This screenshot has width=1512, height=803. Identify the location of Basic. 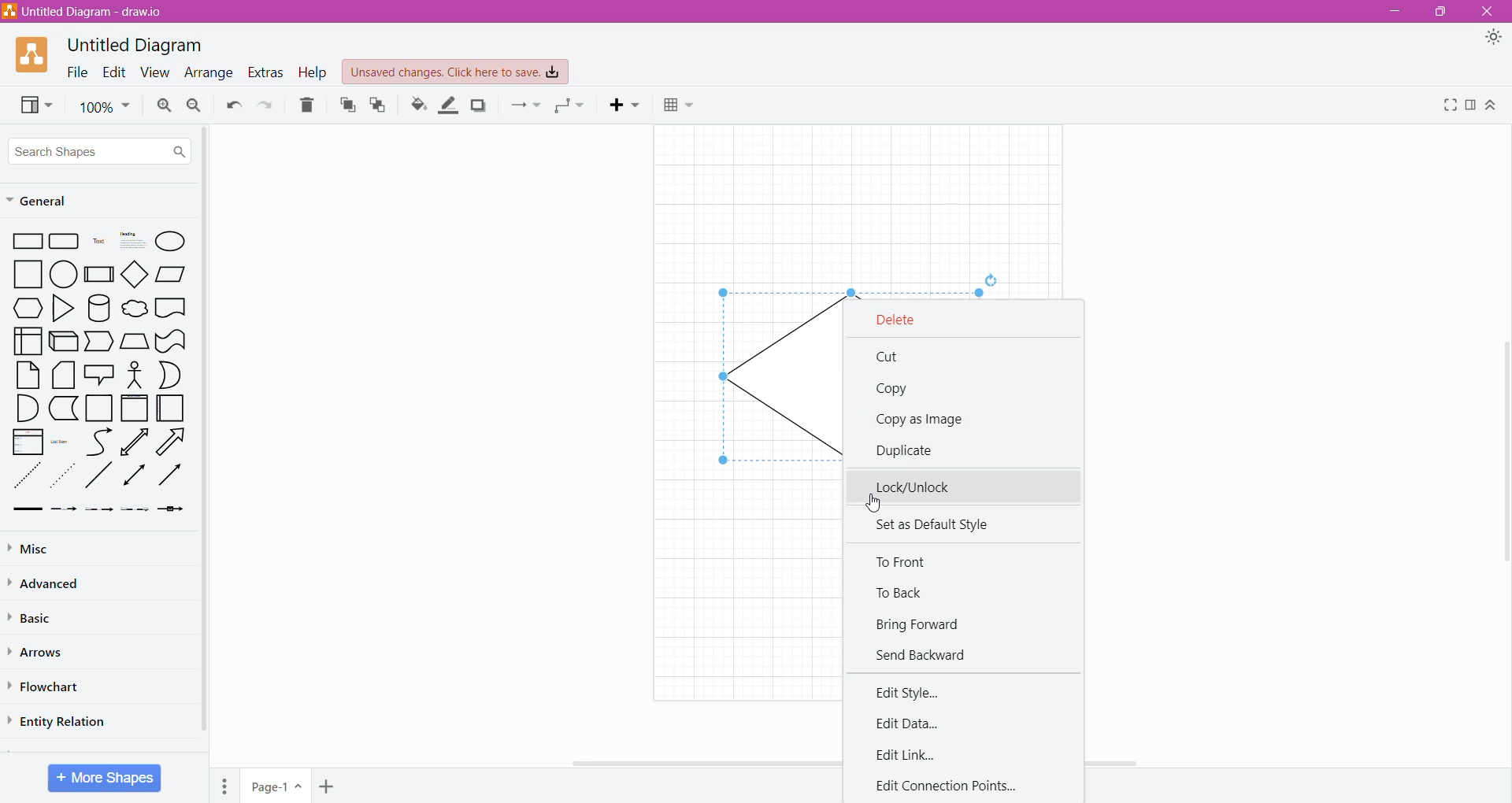
(39, 616).